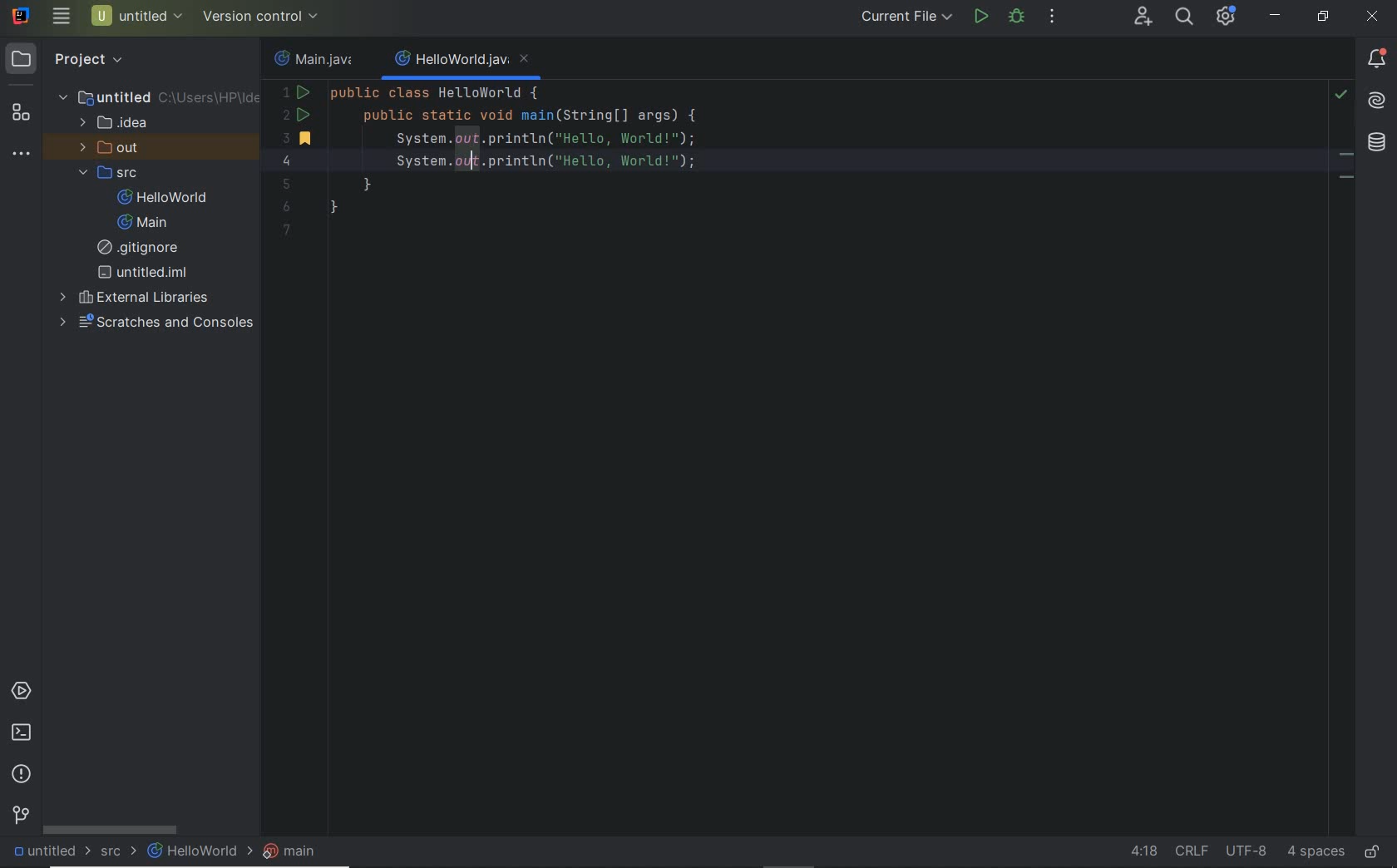 This screenshot has width=1397, height=868. Describe the element at coordinates (1377, 143) in the screenshot. I see `Database` at that location.